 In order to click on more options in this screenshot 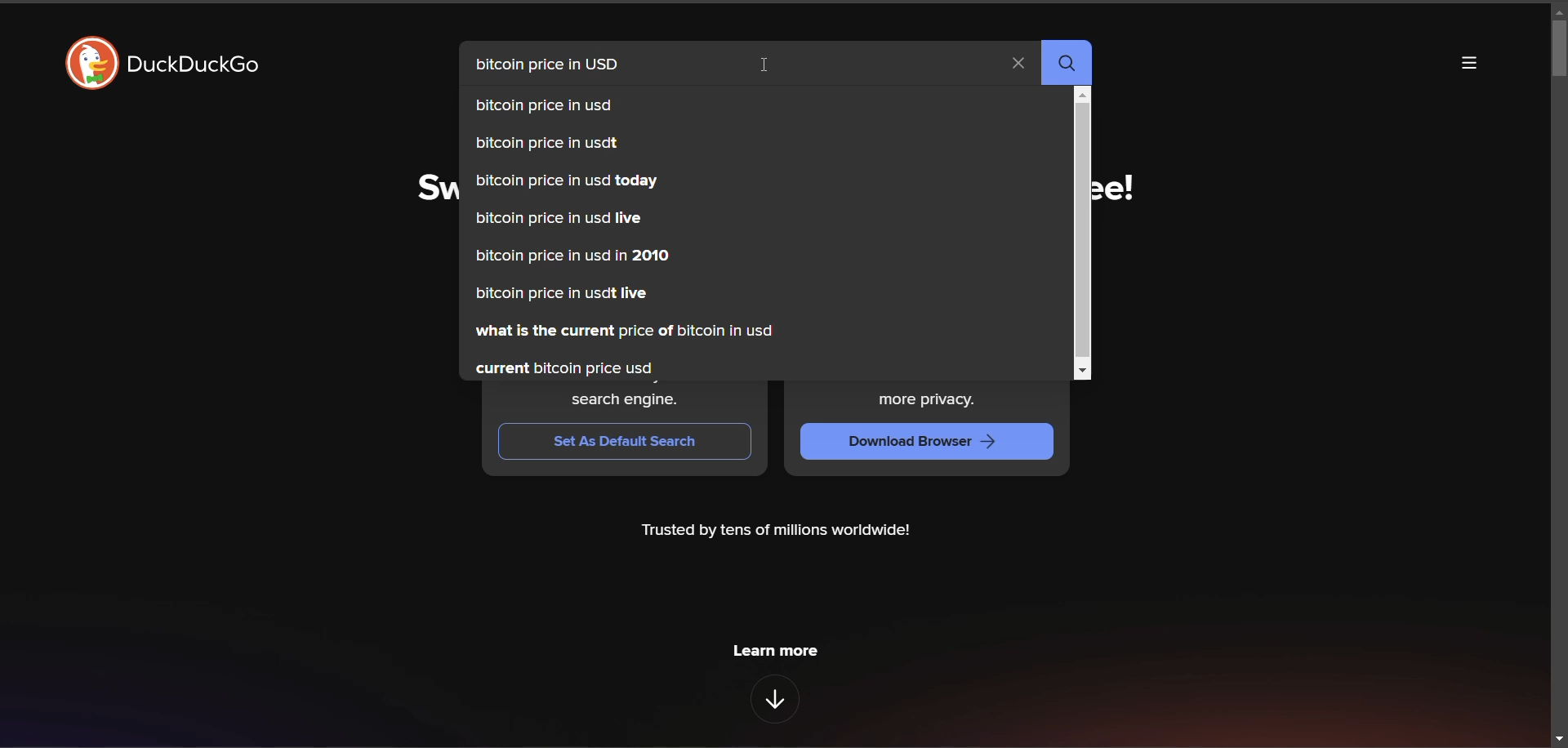, I will do `click(1468, 65)`.